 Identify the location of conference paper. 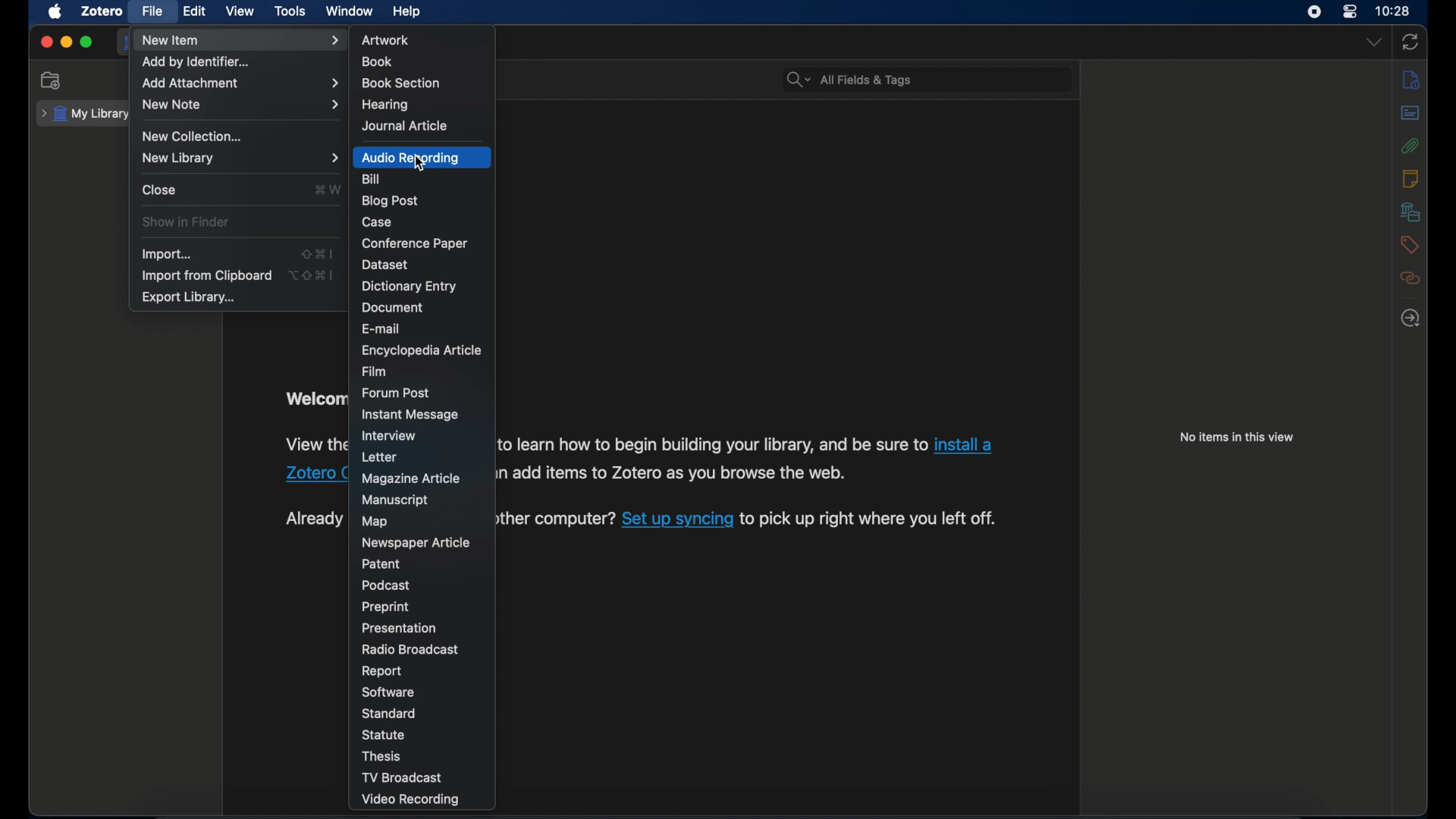
(414, 243).